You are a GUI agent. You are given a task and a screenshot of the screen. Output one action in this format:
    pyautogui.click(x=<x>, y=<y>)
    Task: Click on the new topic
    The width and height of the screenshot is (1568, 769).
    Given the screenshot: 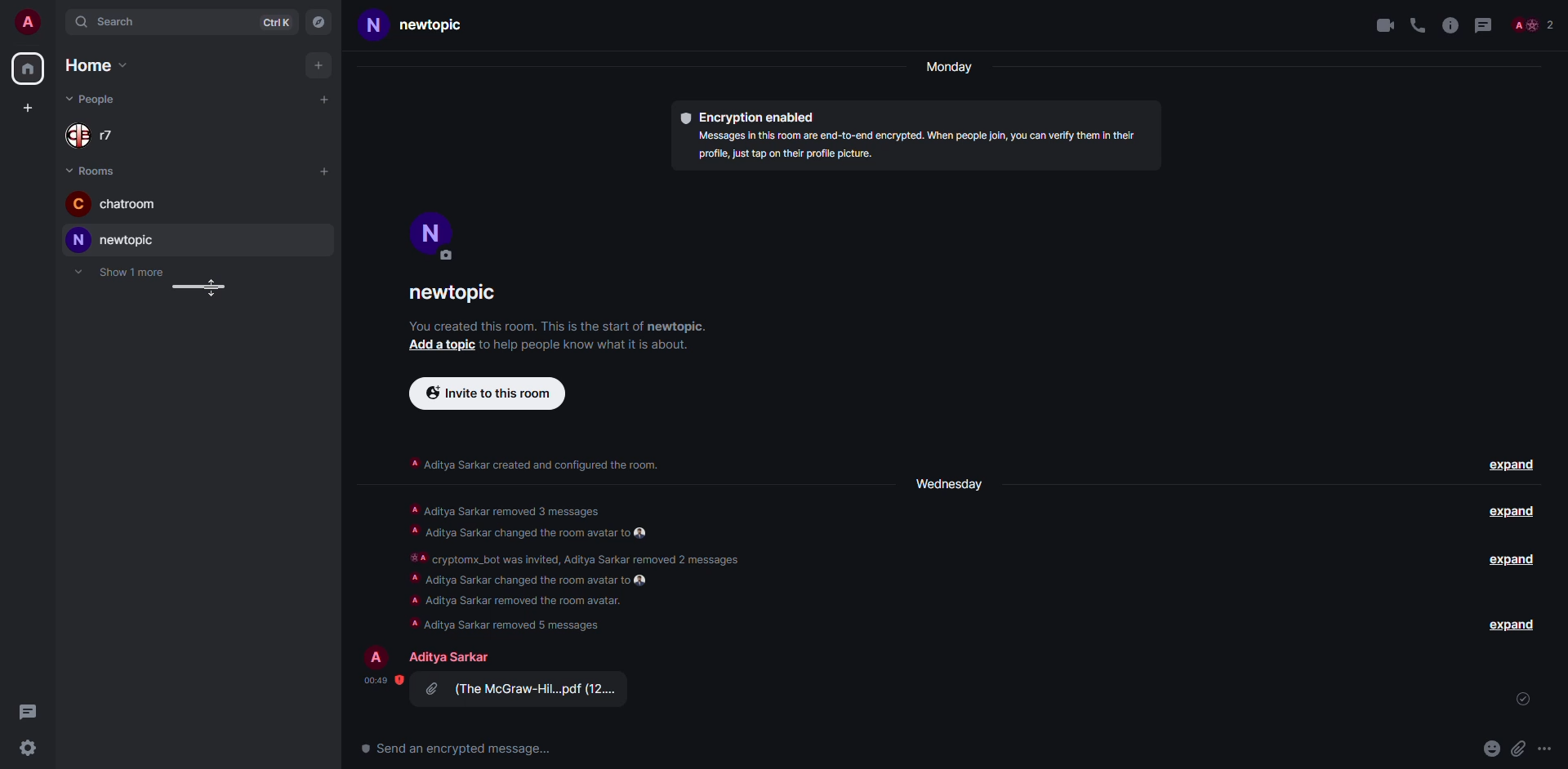 What is the action you would take?
    pyautogui.click(x=111, y=239)
    